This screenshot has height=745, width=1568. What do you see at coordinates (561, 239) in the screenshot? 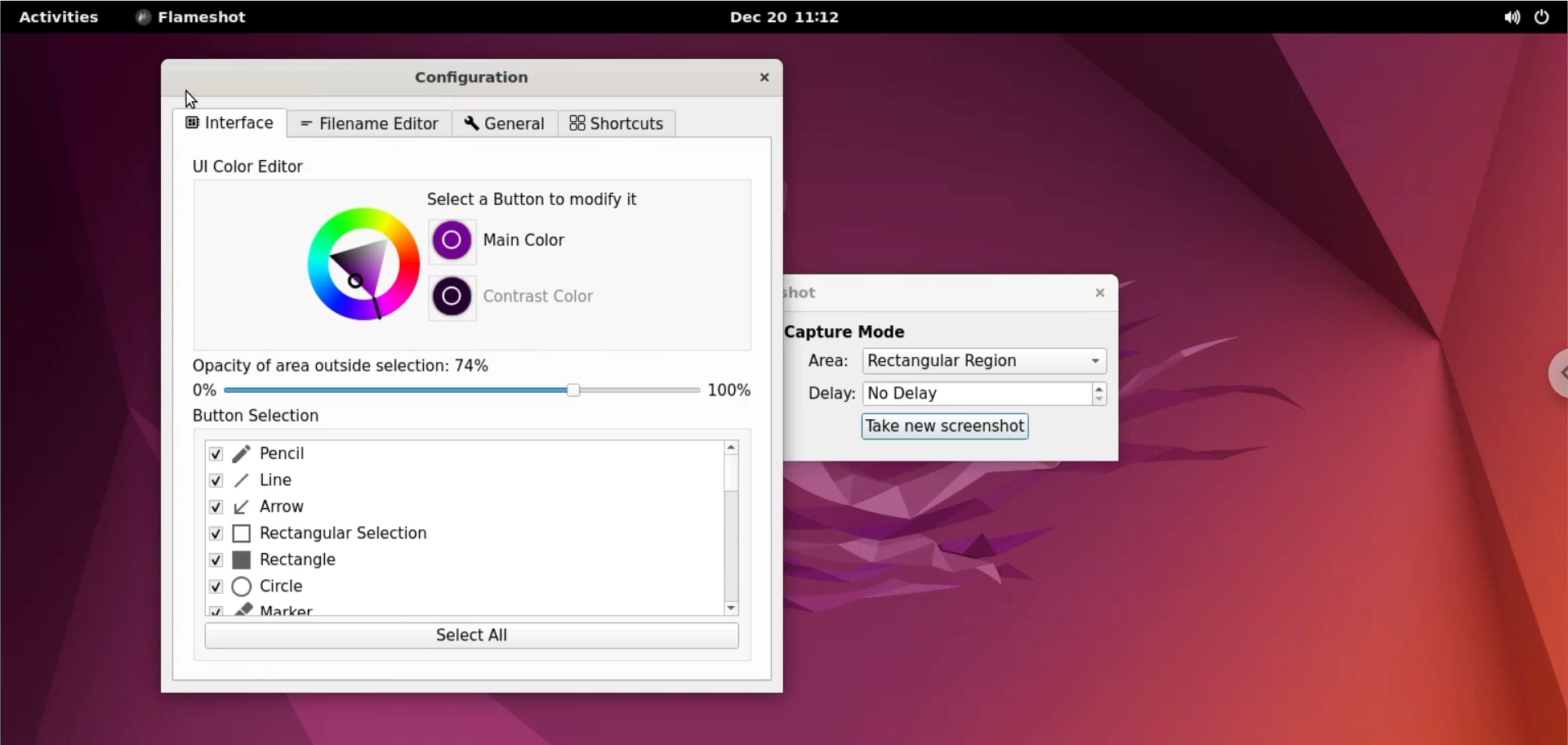
I see `main color` at bounding box center [561, 239].